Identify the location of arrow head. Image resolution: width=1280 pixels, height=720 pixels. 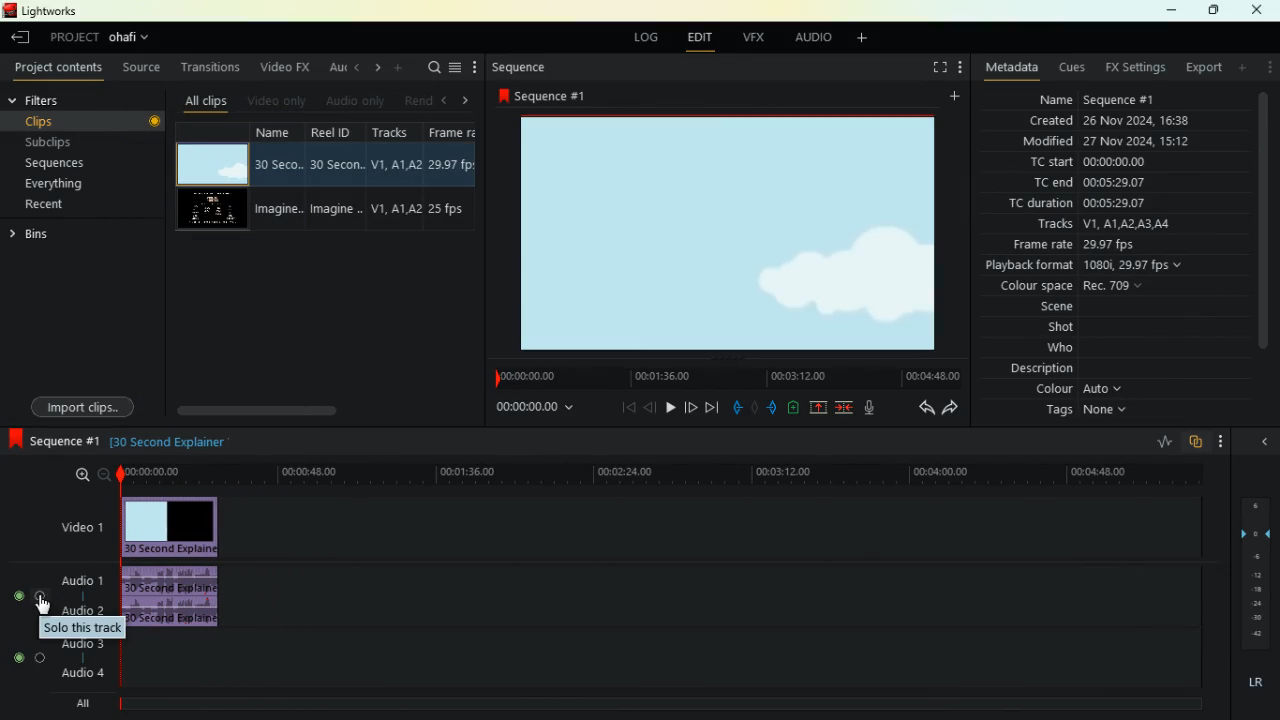
(1263, 444).